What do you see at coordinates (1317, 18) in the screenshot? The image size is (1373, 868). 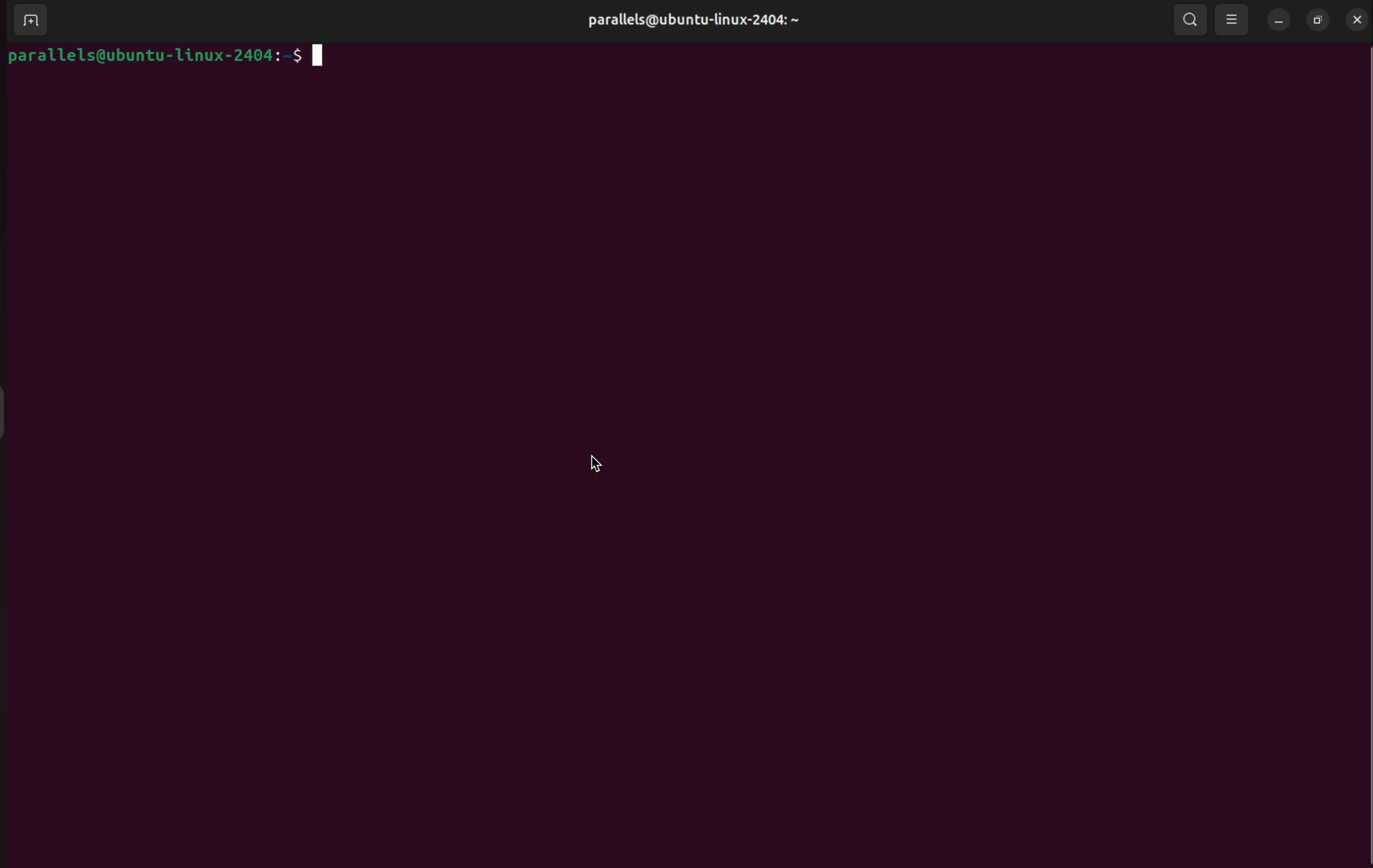 I see `resize` at bounding box center [1317, 18].